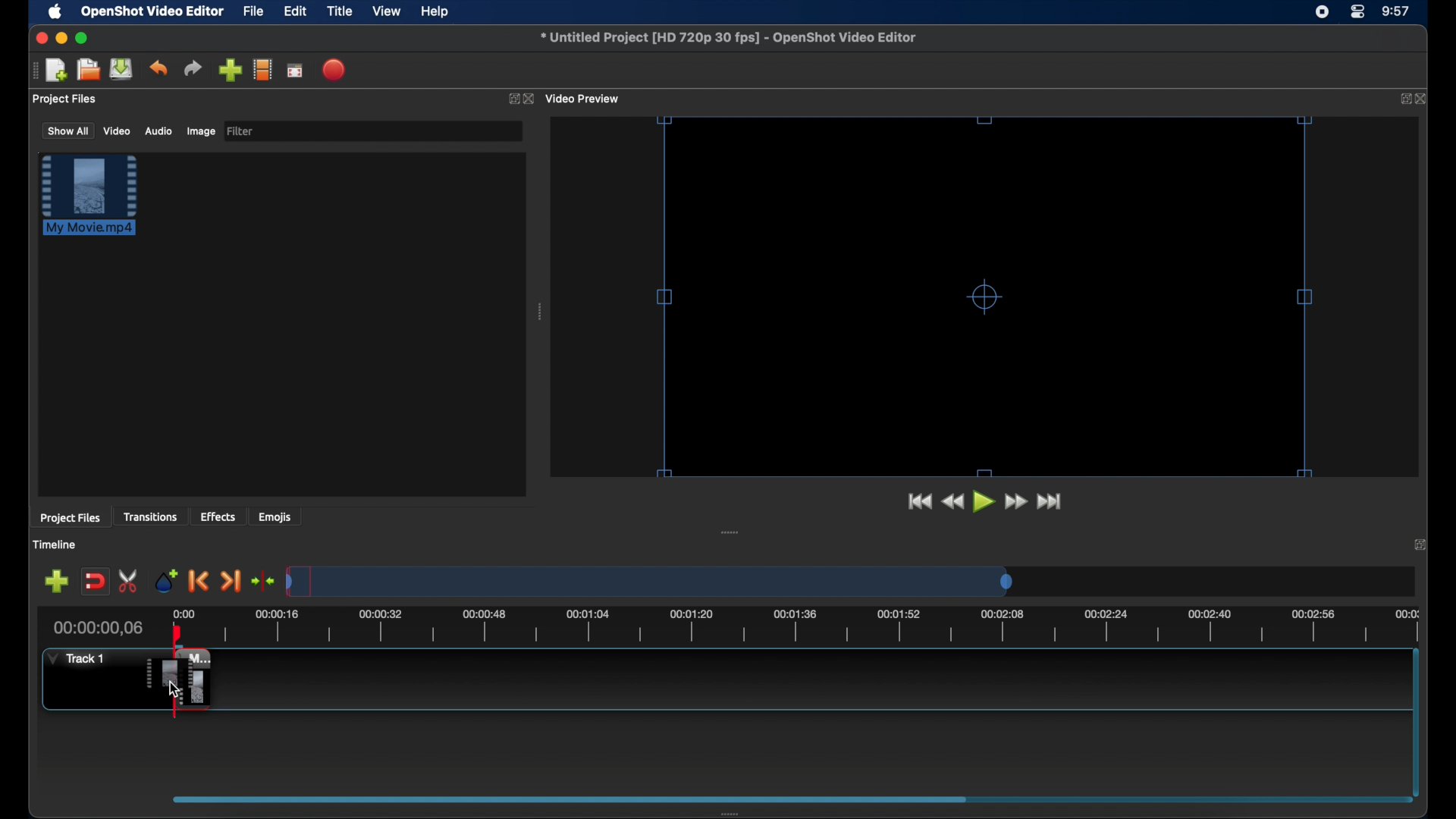 The width and height of the screenshot is (1456, 819). What do you see at coordinates (55, 544) in the screenshot?
I see `timeline` at bounding box center [55, 544].